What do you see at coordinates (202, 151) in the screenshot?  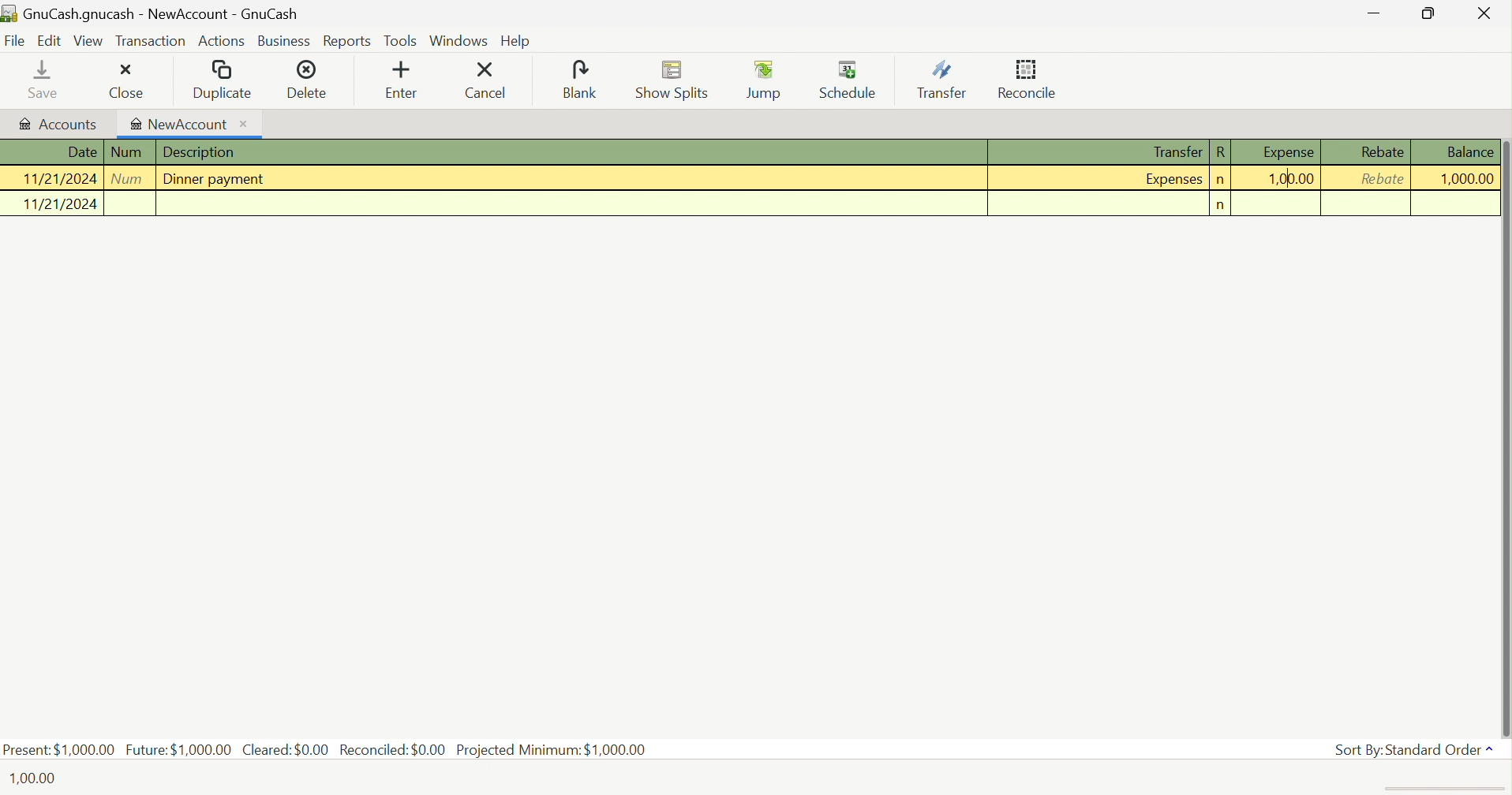 I see `Description` at bounding box center [202, 151].